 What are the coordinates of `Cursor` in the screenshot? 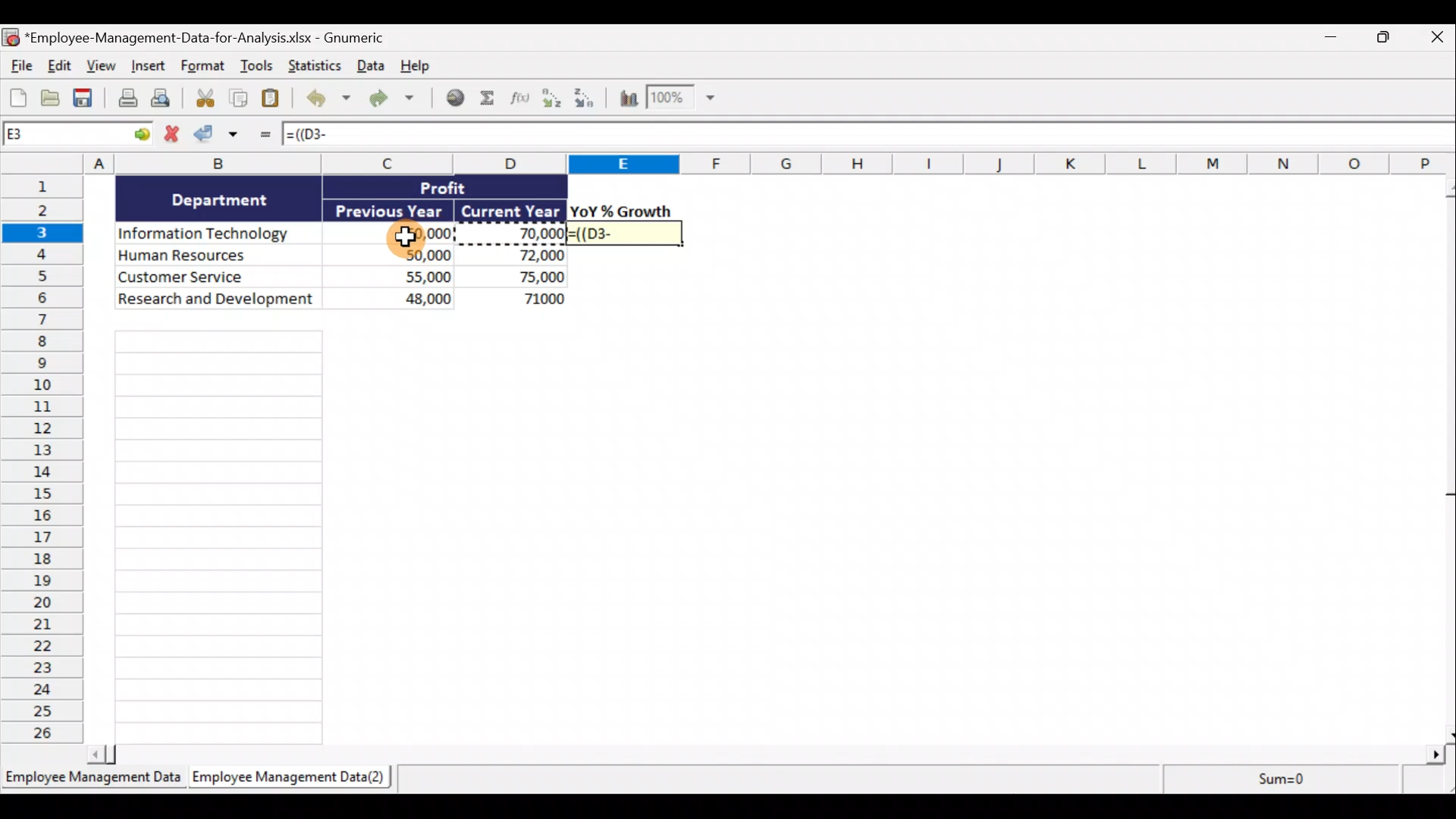 It's located at (407, 237).